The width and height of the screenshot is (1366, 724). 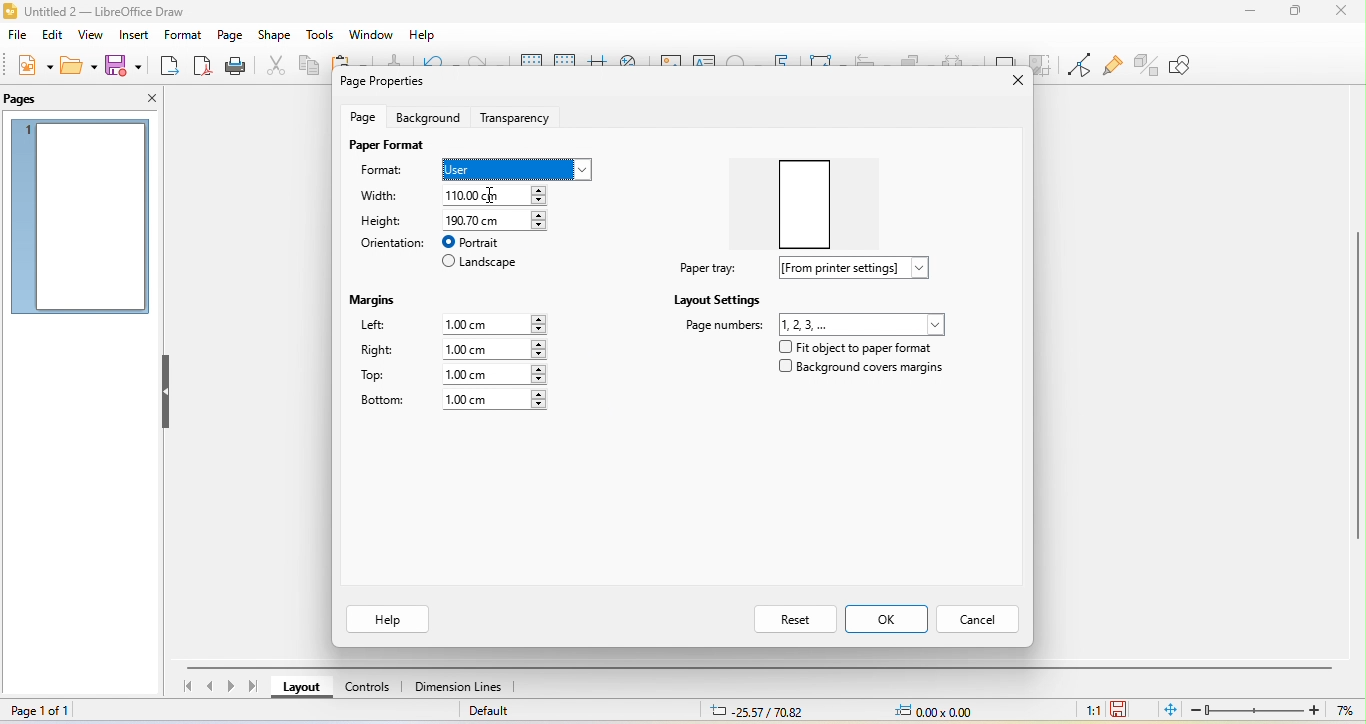 I want to click on minimize, so click(x=1251, y=10).